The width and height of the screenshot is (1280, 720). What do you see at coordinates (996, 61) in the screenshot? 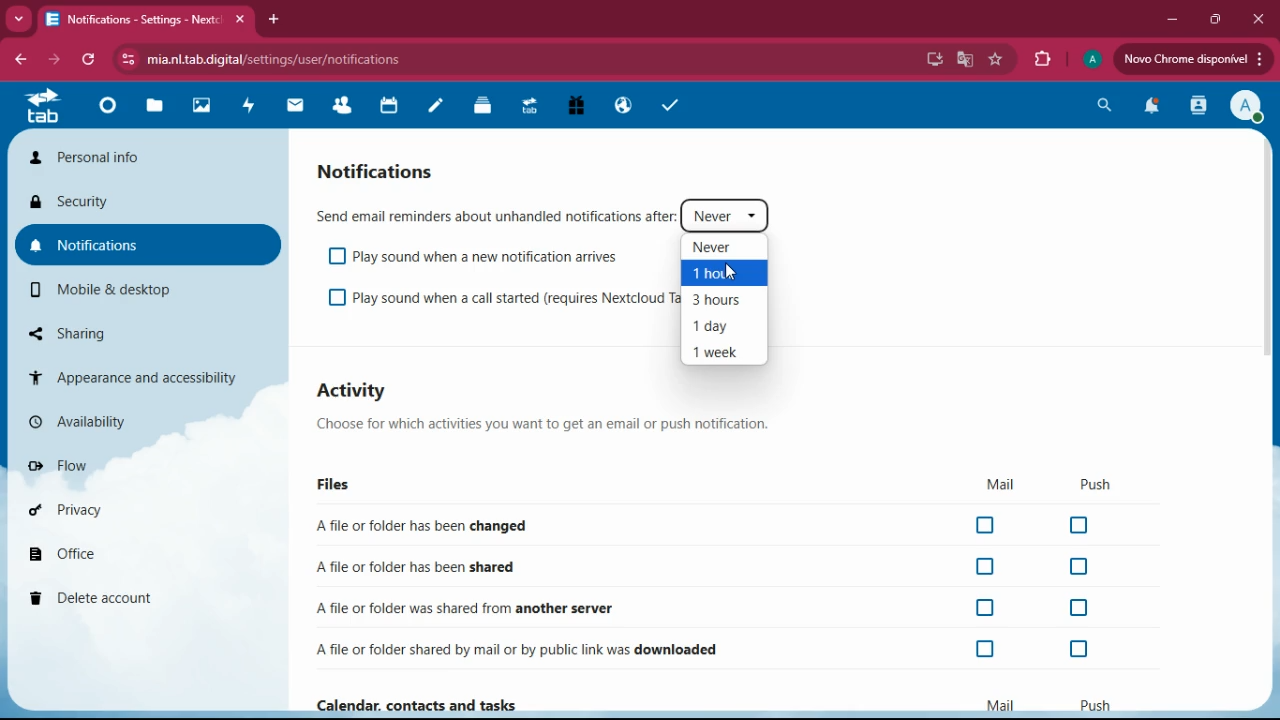
I see `favorite` at bounding box center [996, 61].